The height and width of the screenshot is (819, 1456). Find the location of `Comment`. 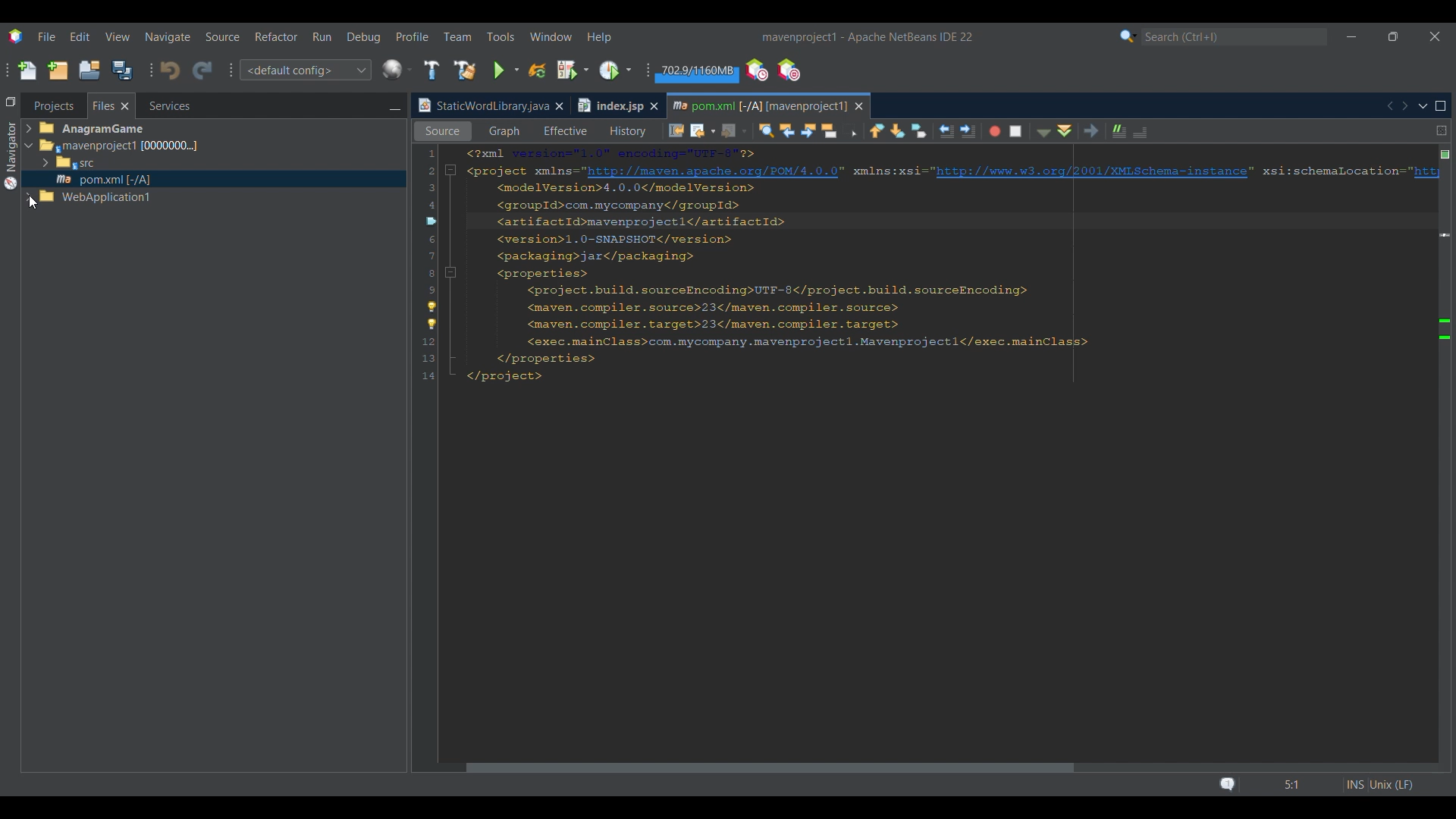

Comment is located at coordinates (1116, 129).